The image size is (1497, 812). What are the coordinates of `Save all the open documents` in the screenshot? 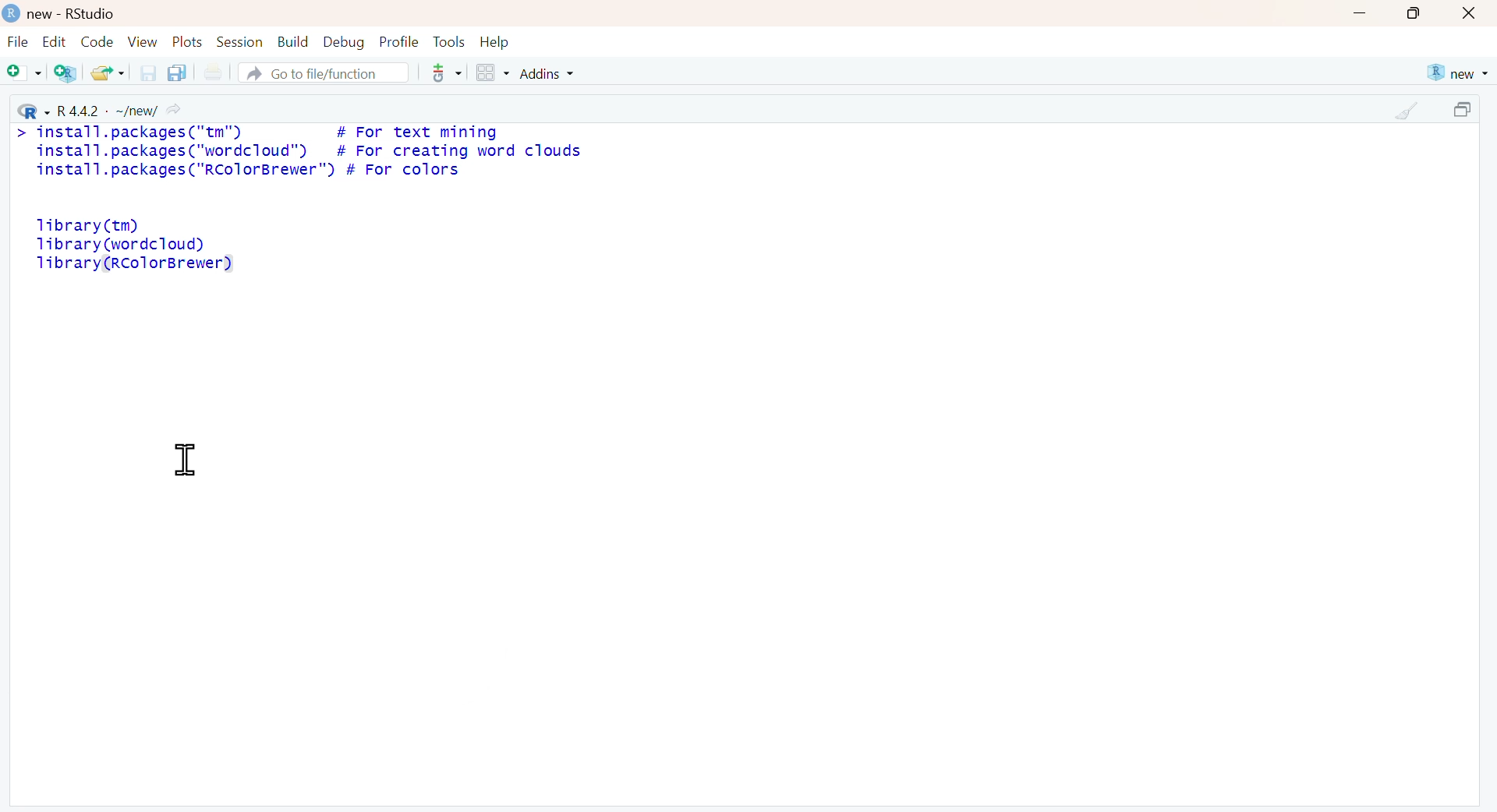 It's located at (176, 72).